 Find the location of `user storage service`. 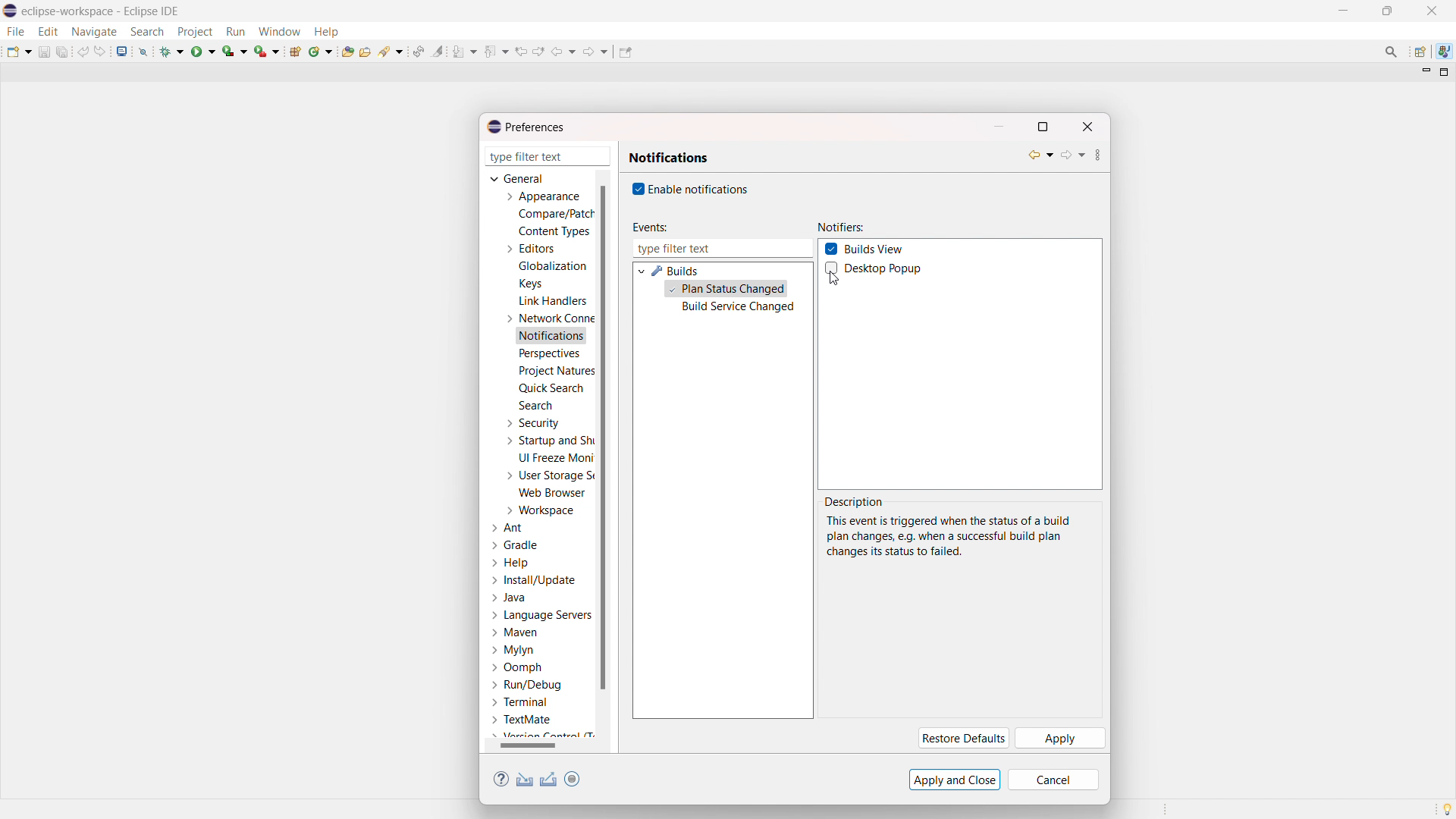

user storage service is located at coordinates (547, 475).